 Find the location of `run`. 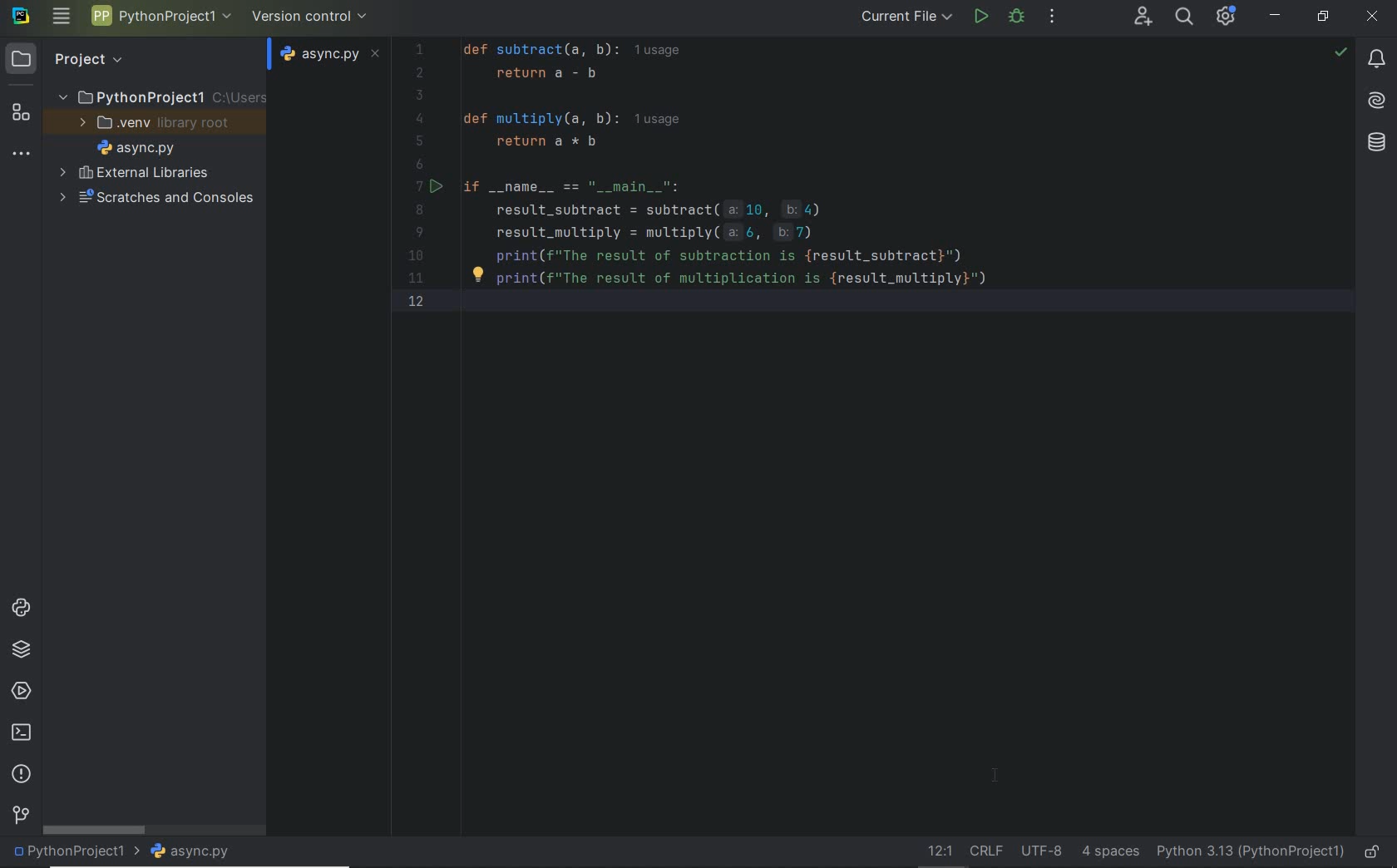

run is located at coordinates (980, 16).